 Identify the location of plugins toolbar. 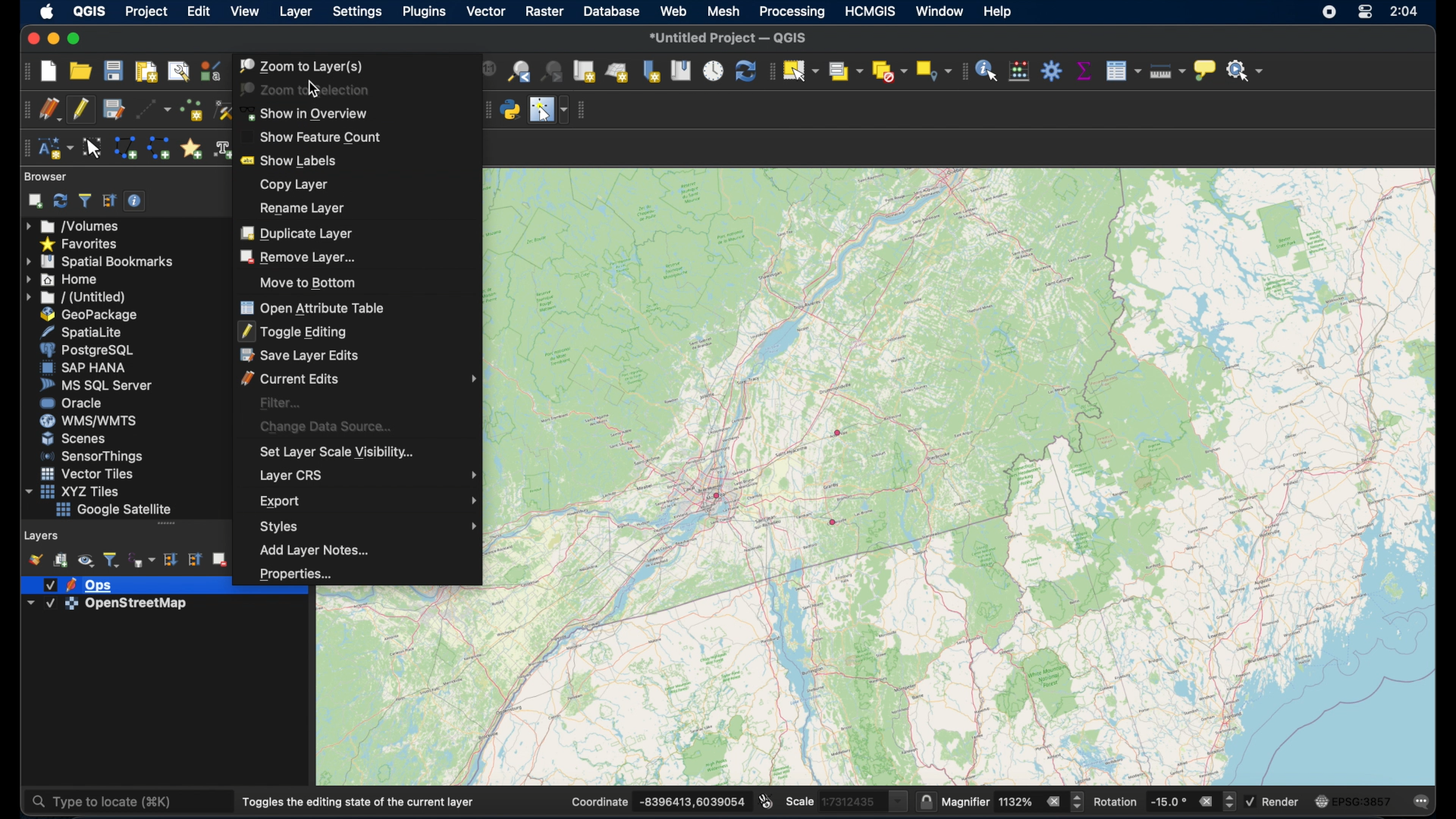
(484, 110).